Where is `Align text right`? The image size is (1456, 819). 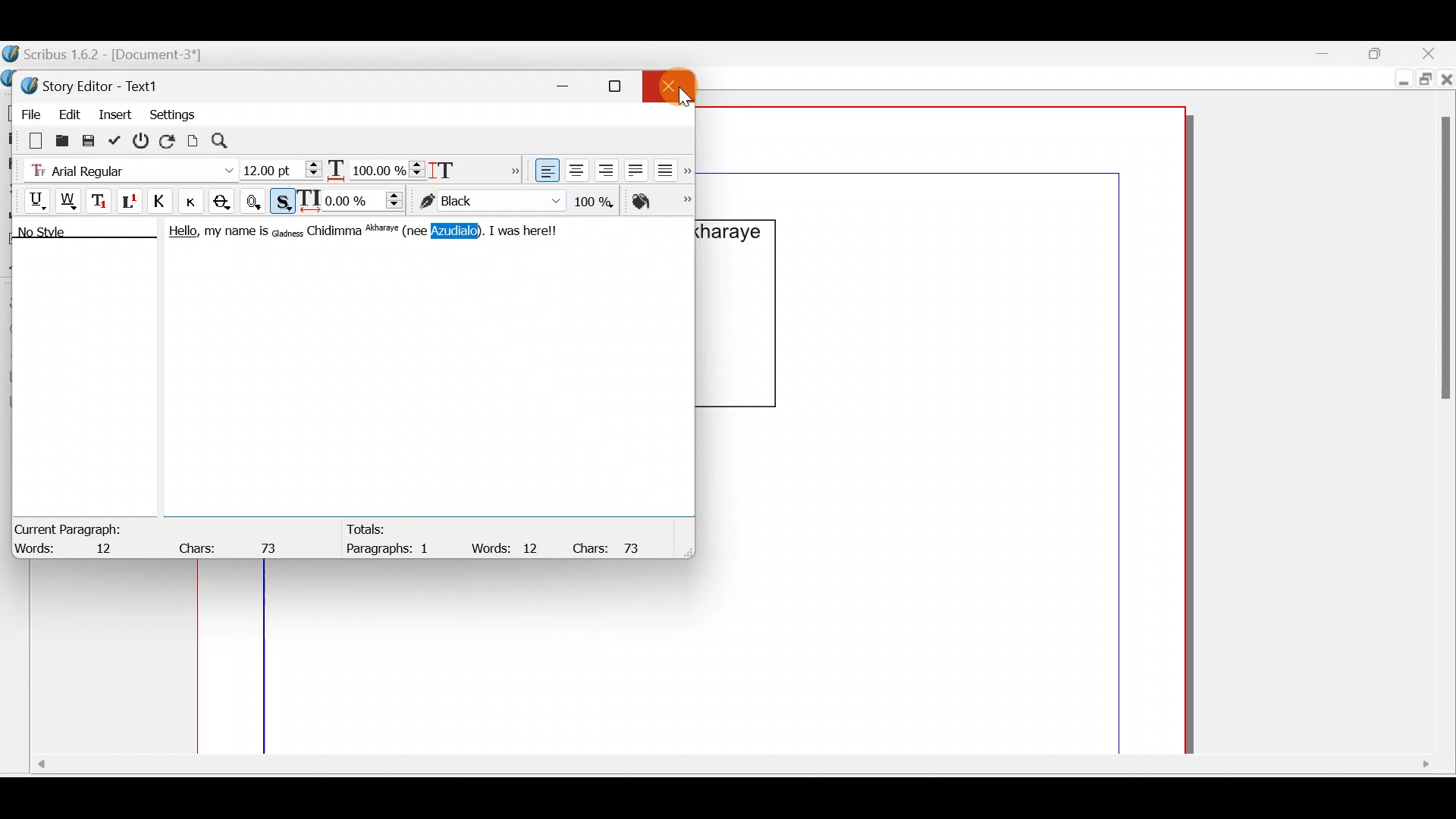 Align text right is located at coordinates (603, 171).